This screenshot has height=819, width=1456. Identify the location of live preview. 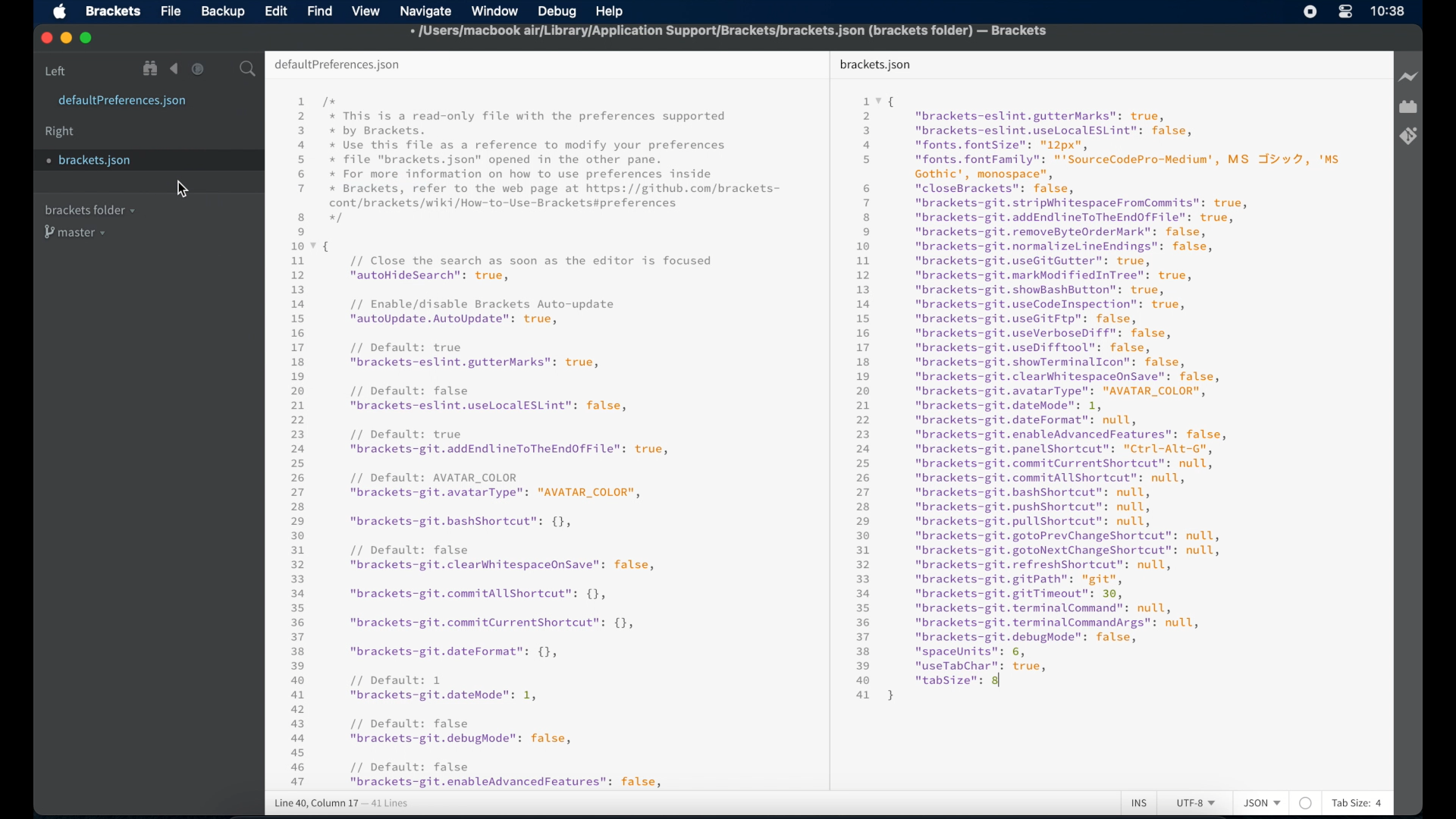
(1410, 77).